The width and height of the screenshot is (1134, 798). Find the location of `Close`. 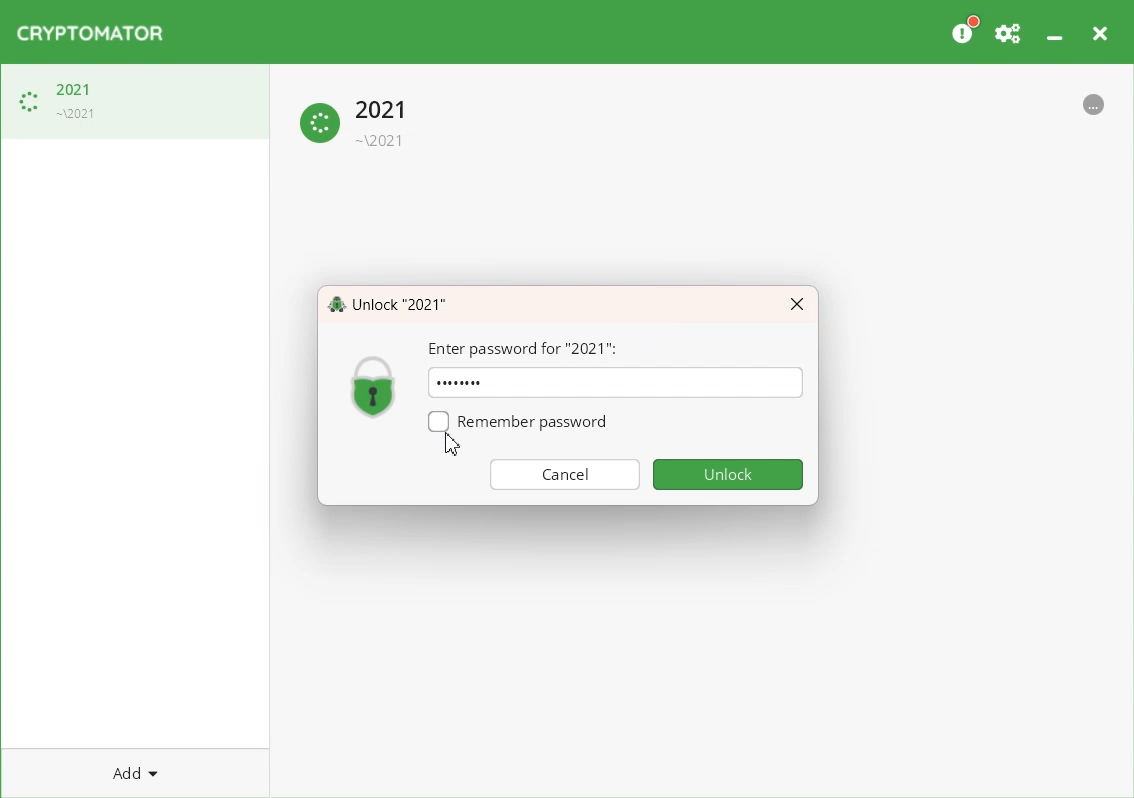

Close is located at coordinates (1099, 30).